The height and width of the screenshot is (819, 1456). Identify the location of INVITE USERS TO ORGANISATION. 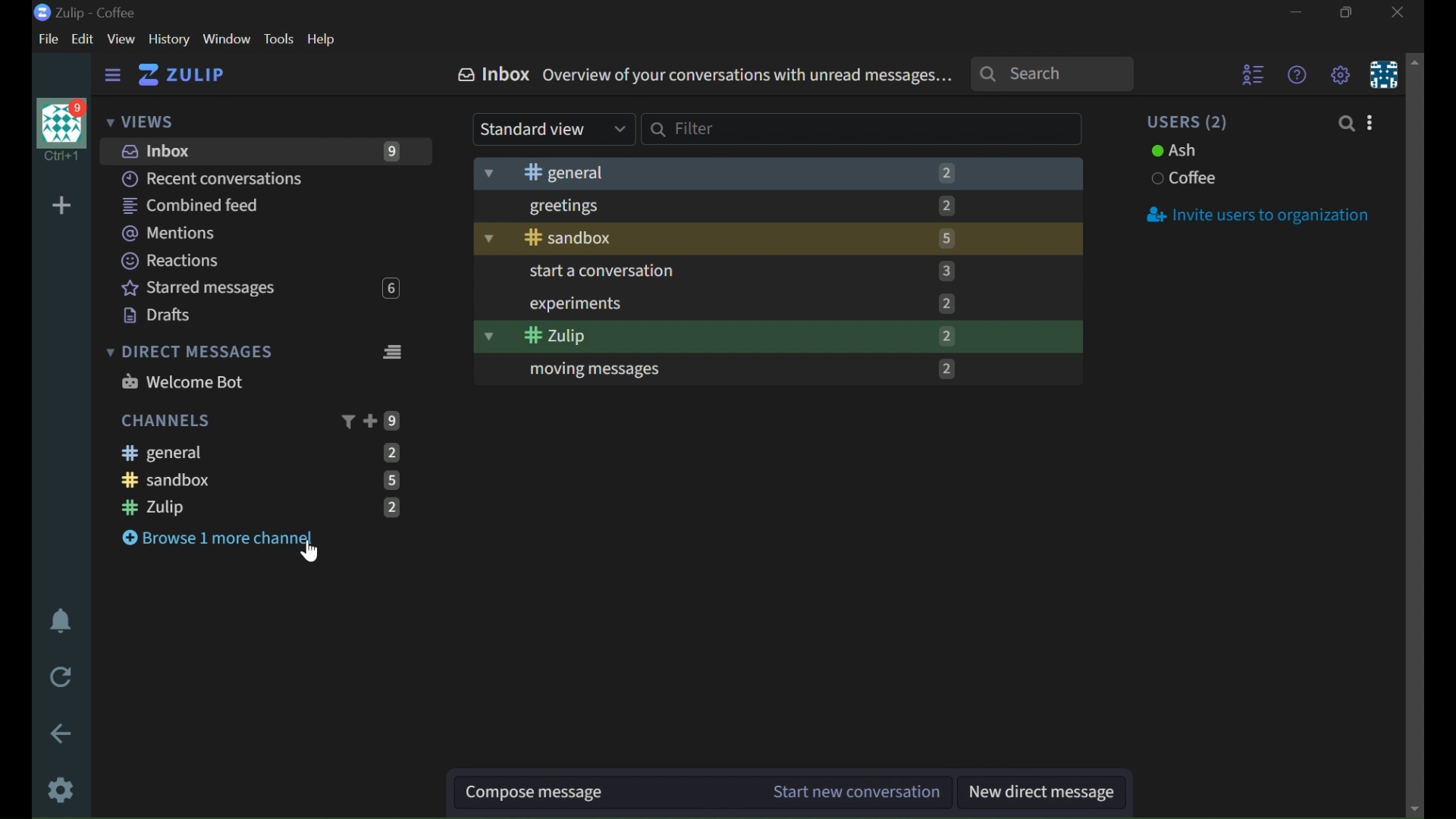
(1257, 216).